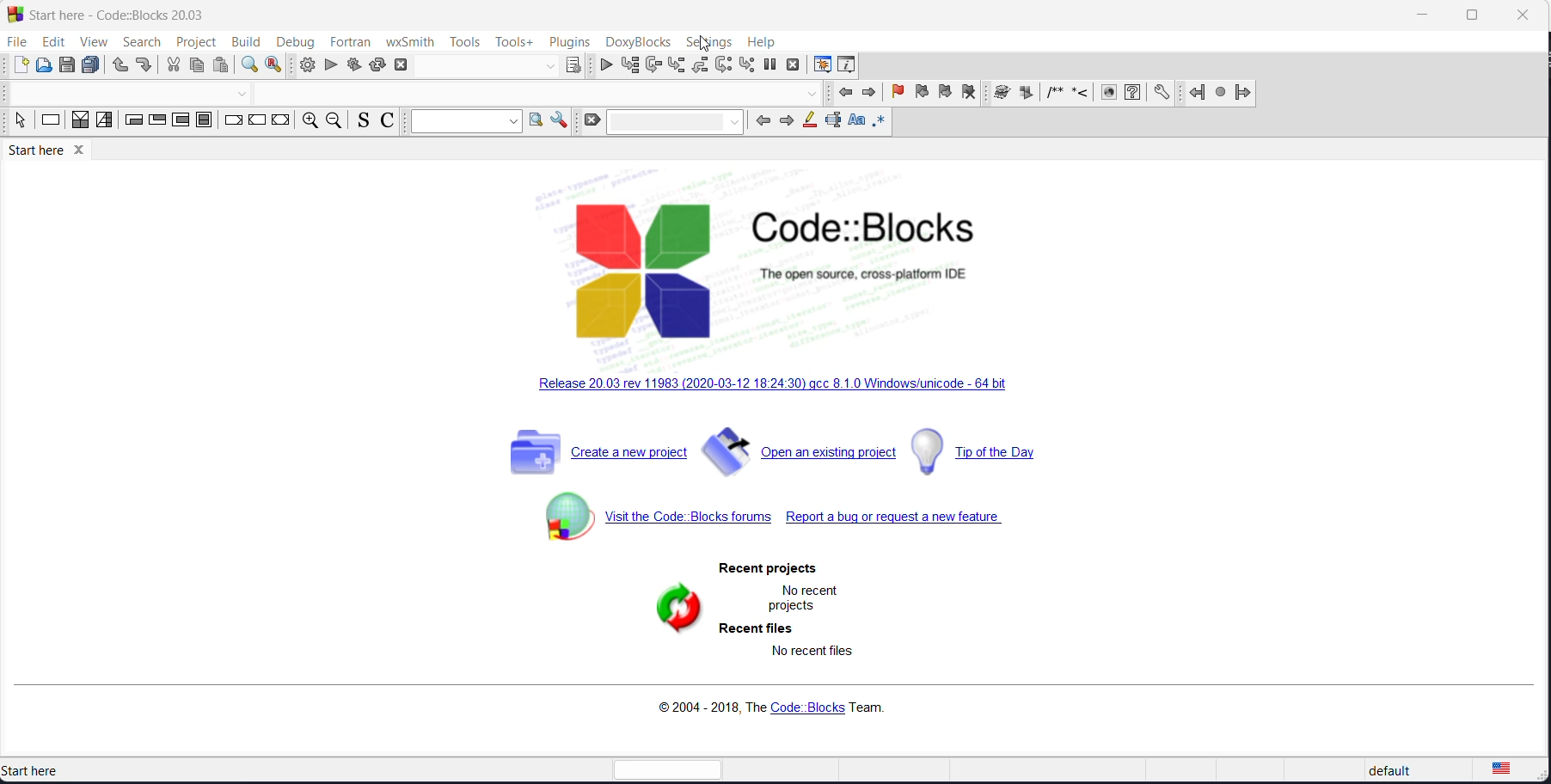 Image resolution: width=1551 pixels, height=784 pixels. What do you see at coordinates (277, 65) in the screenshot?
I see `replace` at bounding box center [277, 65].